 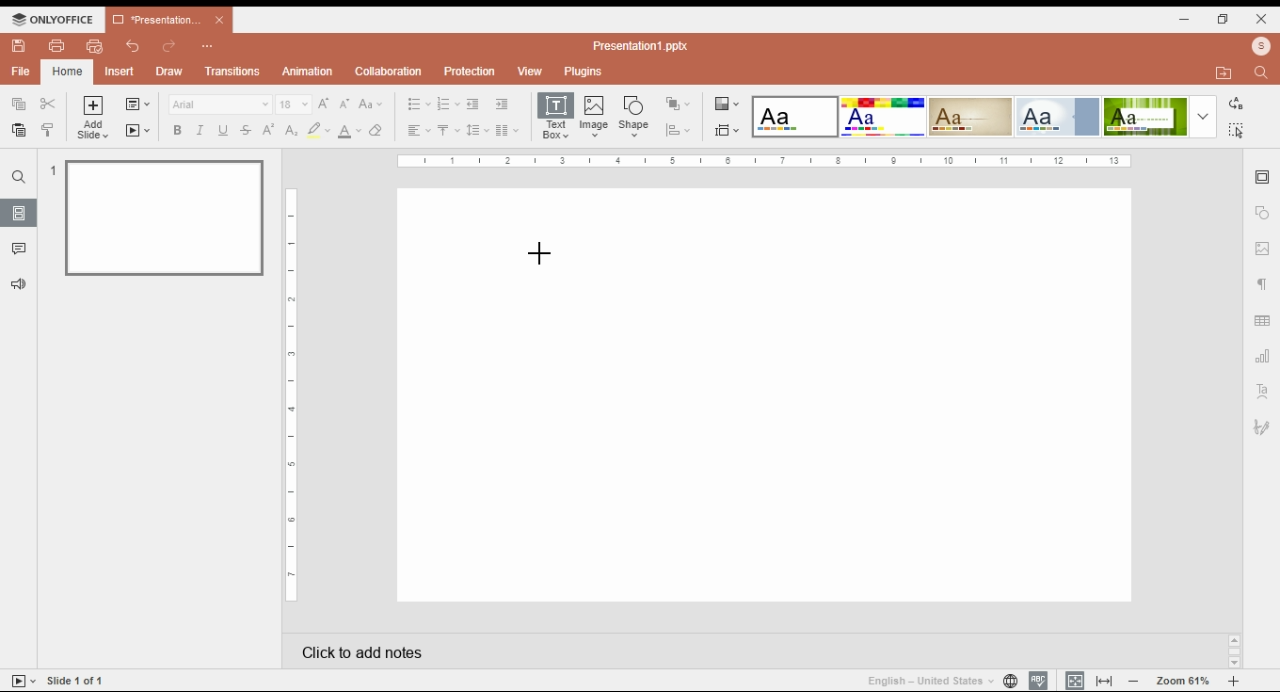 What do you see at coordinates (1263, 359) in the screenshot?
I see `chart settings` at bounding box center [1263, 359].